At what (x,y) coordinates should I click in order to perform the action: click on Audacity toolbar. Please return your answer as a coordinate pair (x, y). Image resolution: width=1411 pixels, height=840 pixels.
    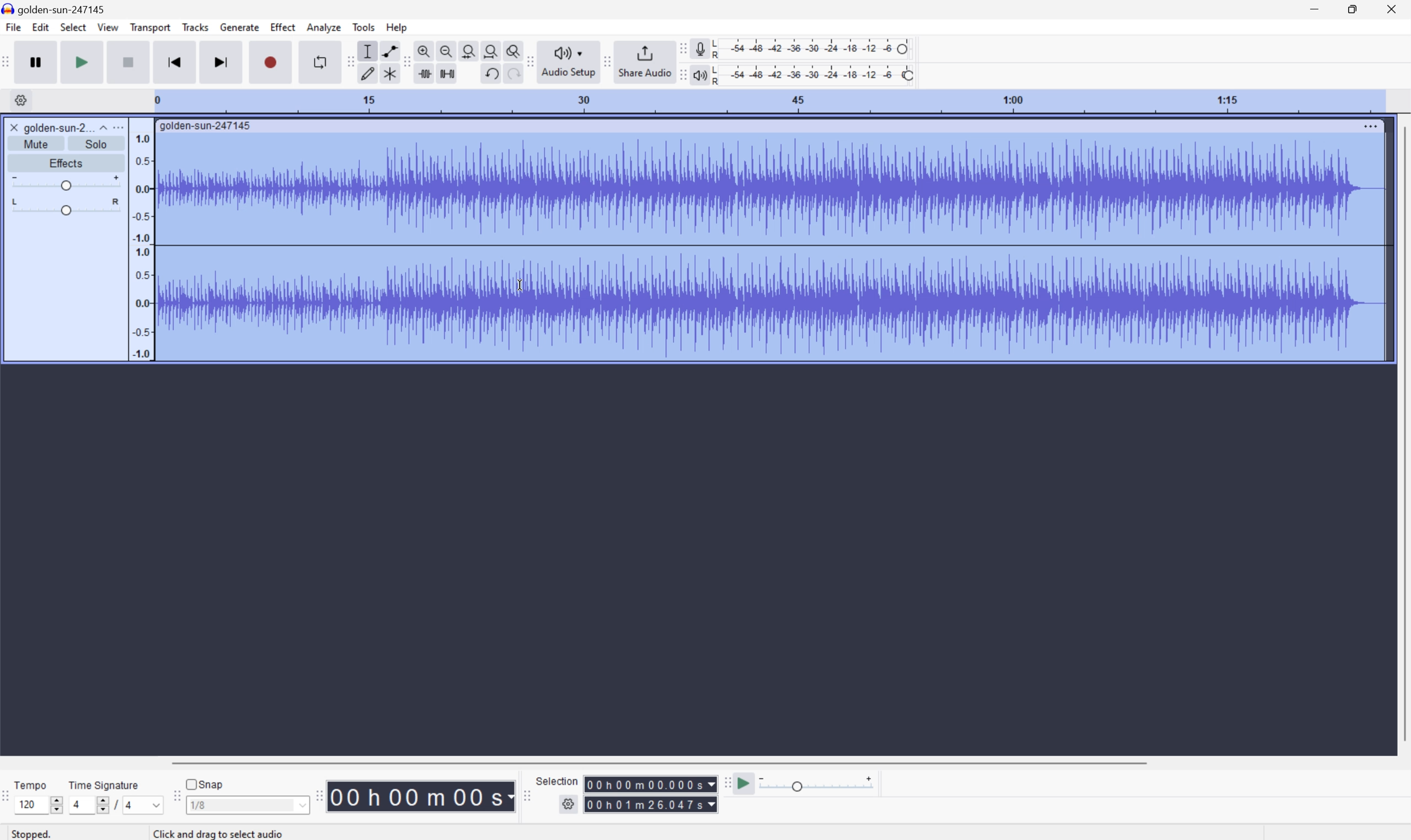
    Looking at the image, I should click on (319, 795).